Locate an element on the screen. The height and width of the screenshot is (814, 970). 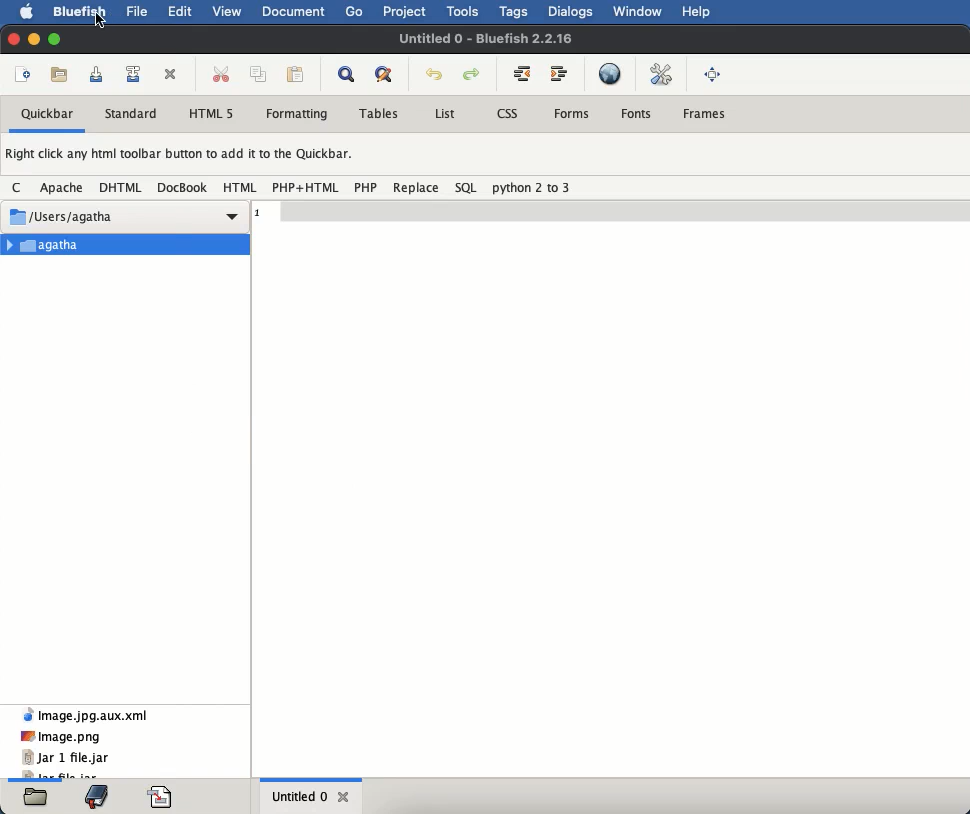
quickbar is located at coordinates (48, 113).